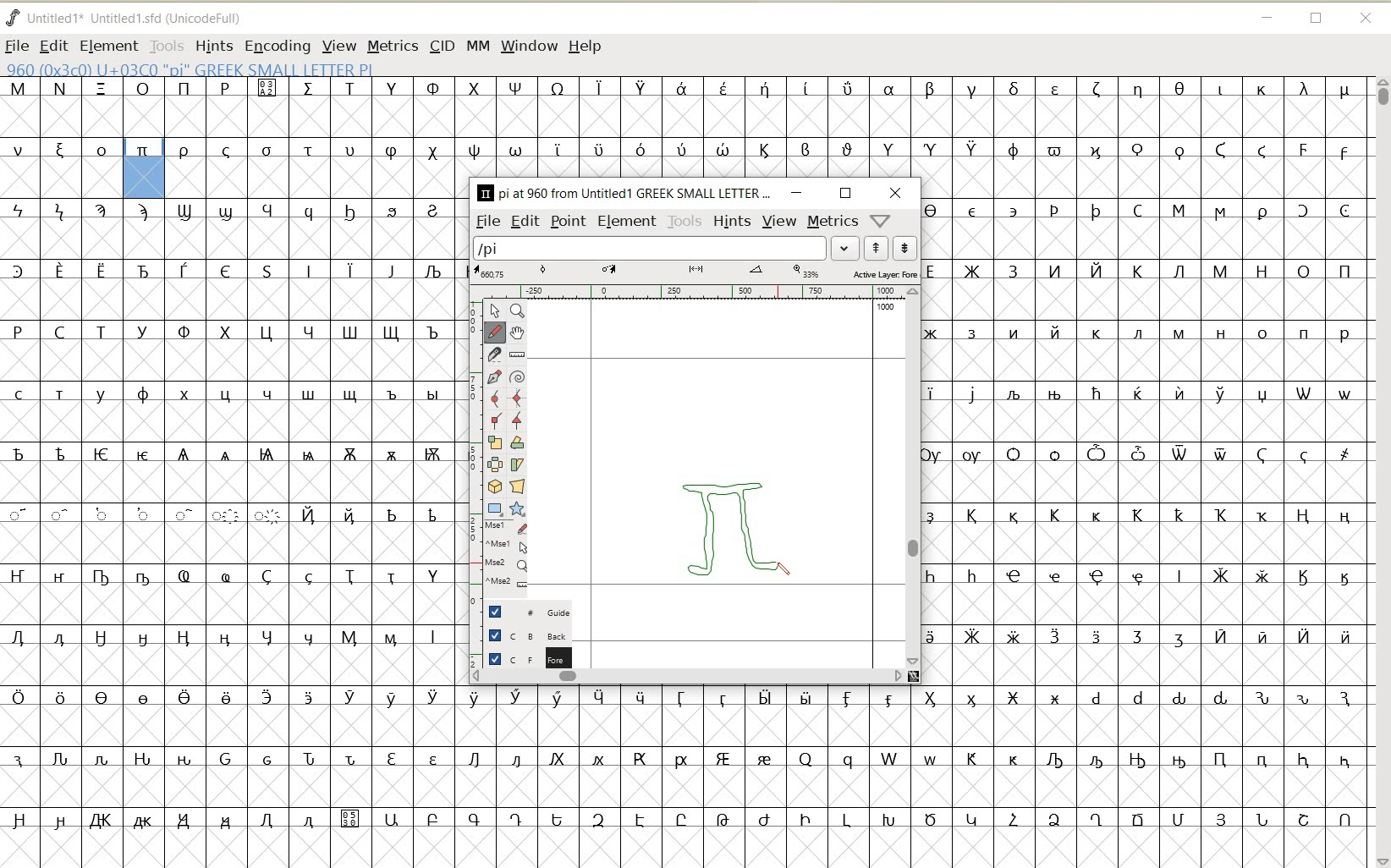 This screenshot has height=868, width=1391. What do you see at coordinates (339, 45) in the screenshot?
I see `VIEW` at bounding box center [339, 45].